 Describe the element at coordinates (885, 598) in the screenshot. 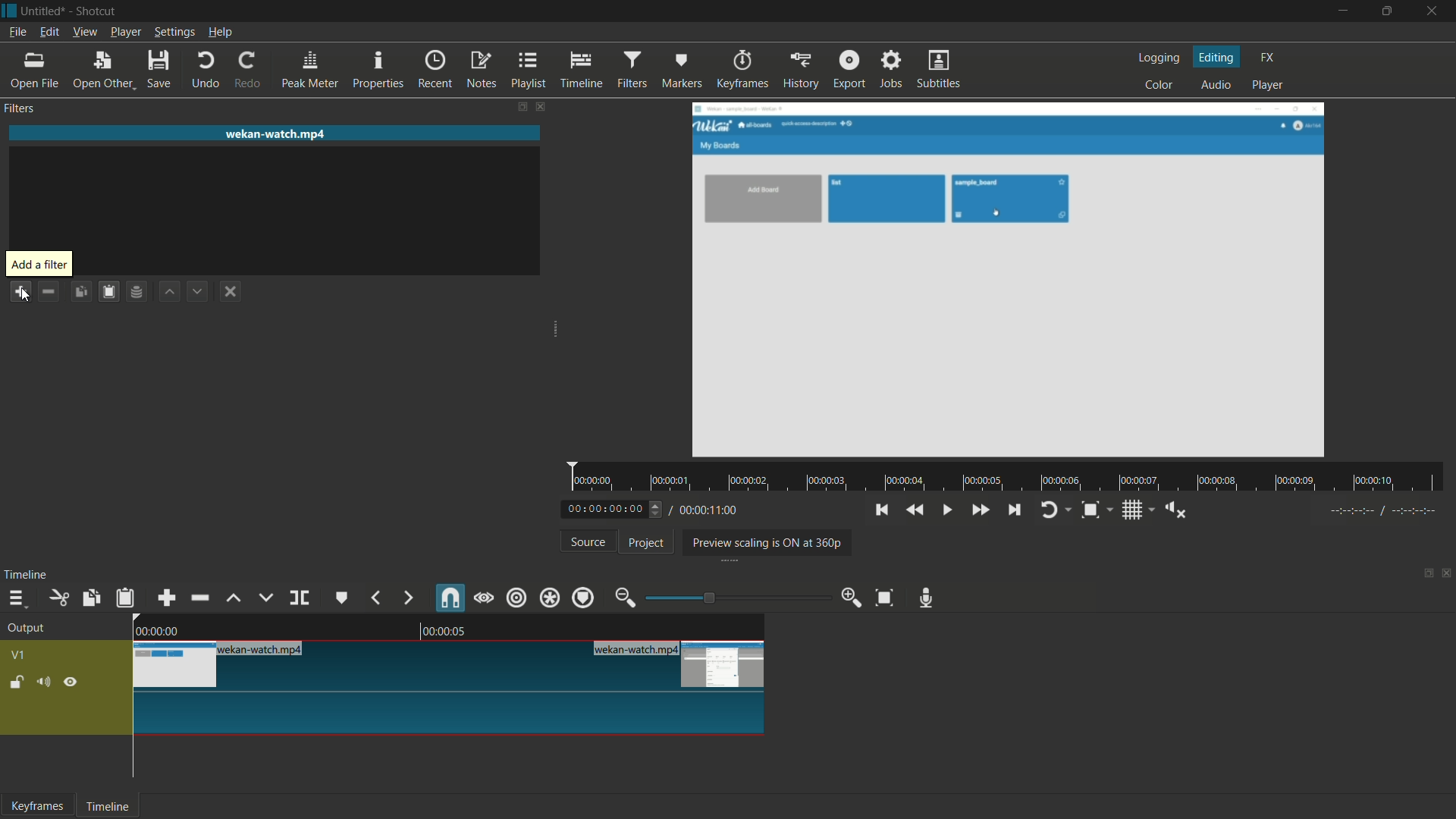

I see `zoom timeline to fit` at that location.